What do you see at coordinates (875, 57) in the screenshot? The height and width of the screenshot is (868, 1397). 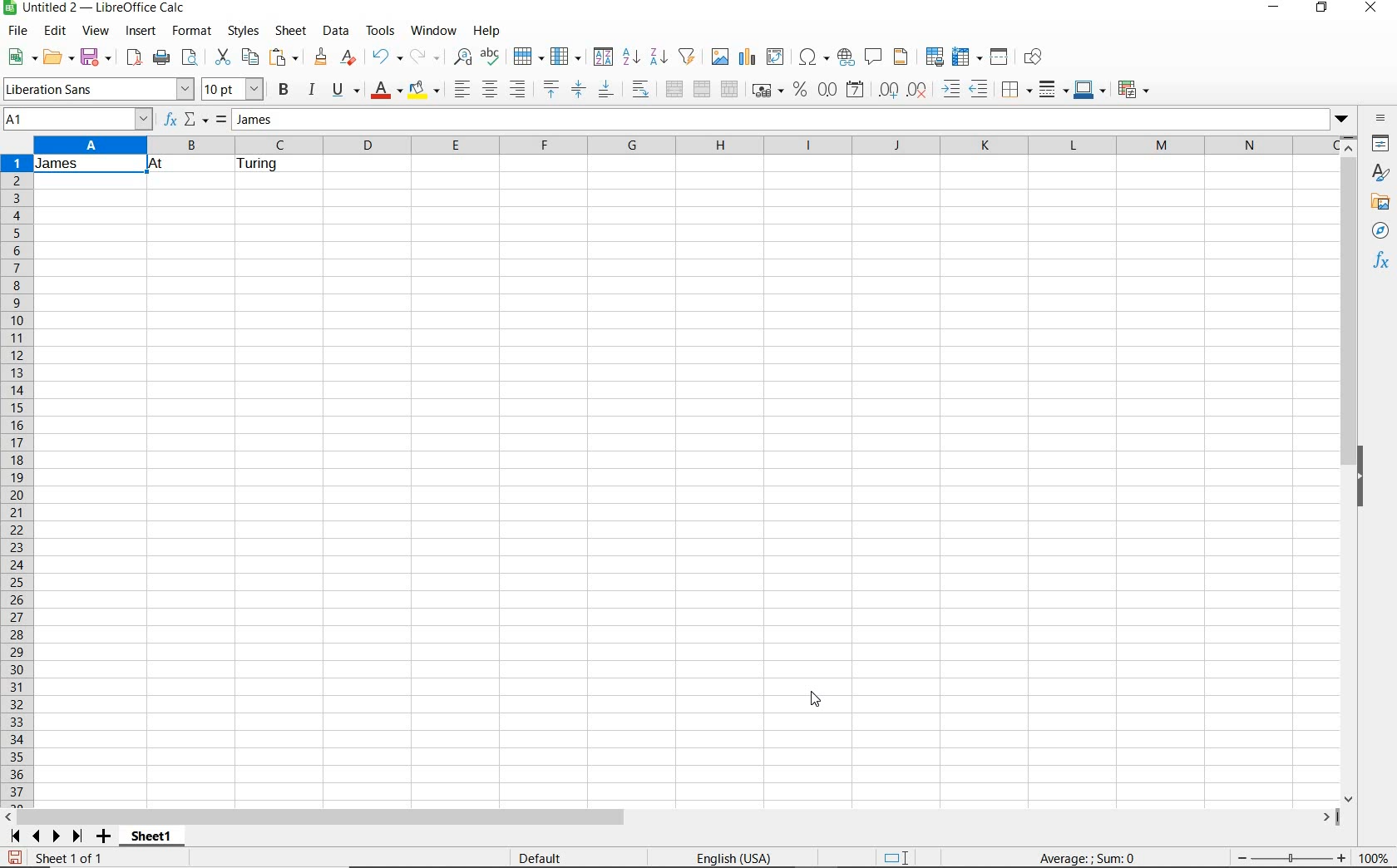 I see `insert comment` at bounding box center [875, 57].